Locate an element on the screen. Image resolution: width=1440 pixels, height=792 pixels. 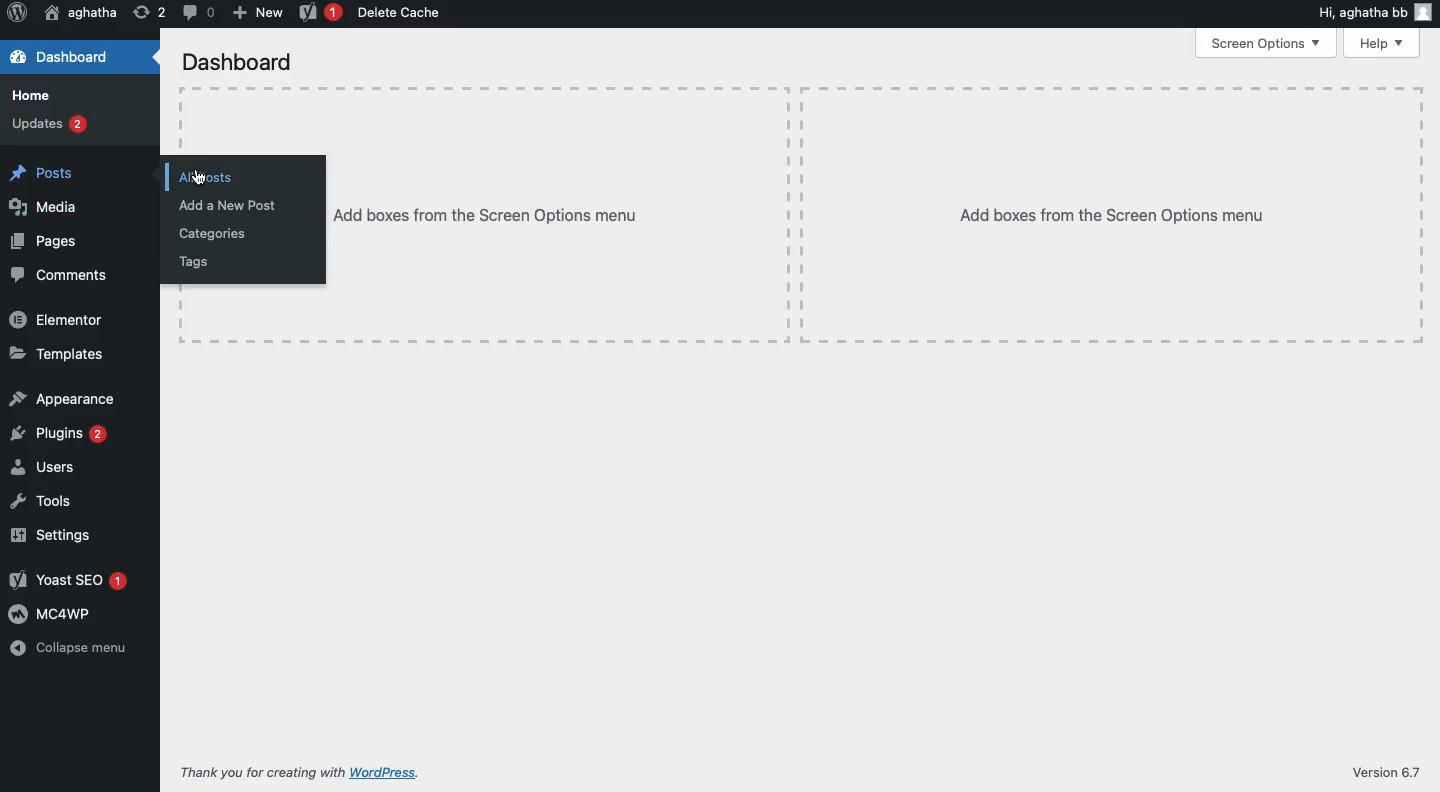
Yoast is located at coordinates (318, 12).